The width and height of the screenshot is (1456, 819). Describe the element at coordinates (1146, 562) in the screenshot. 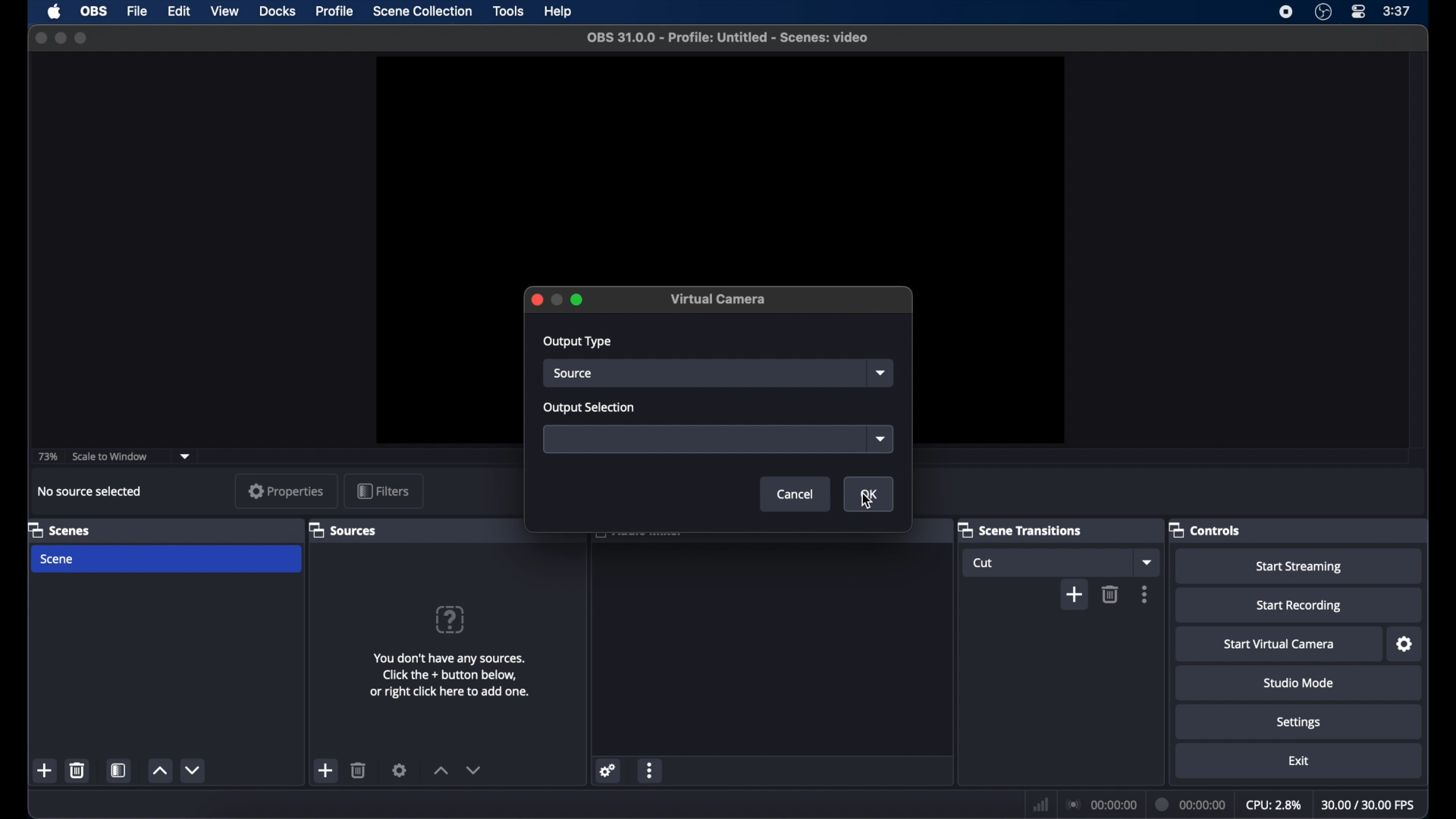

I see `dropdown` at that location.